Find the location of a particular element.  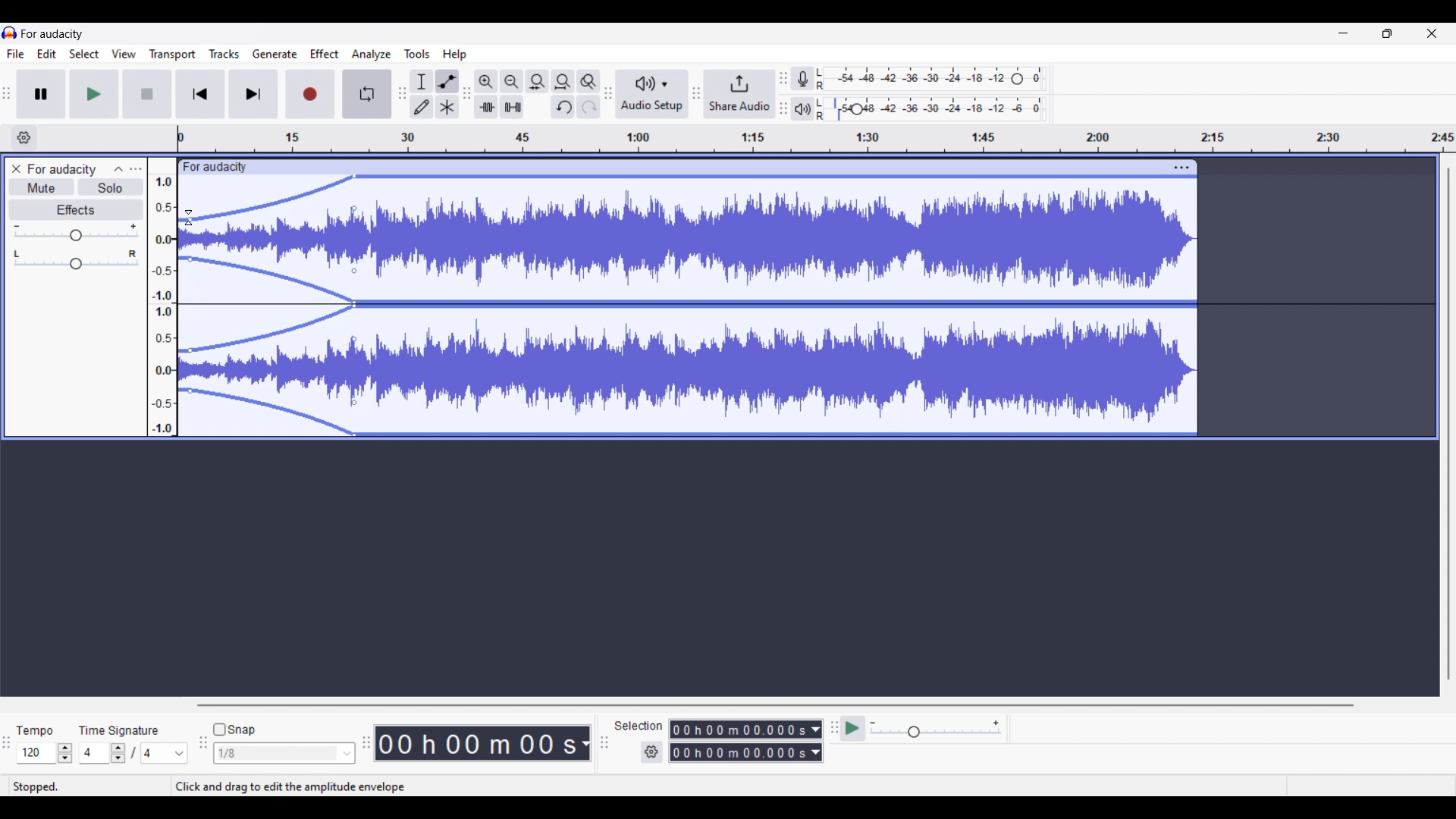

Track highlighted due to Envelop tool is located at coordinates (688, 306).